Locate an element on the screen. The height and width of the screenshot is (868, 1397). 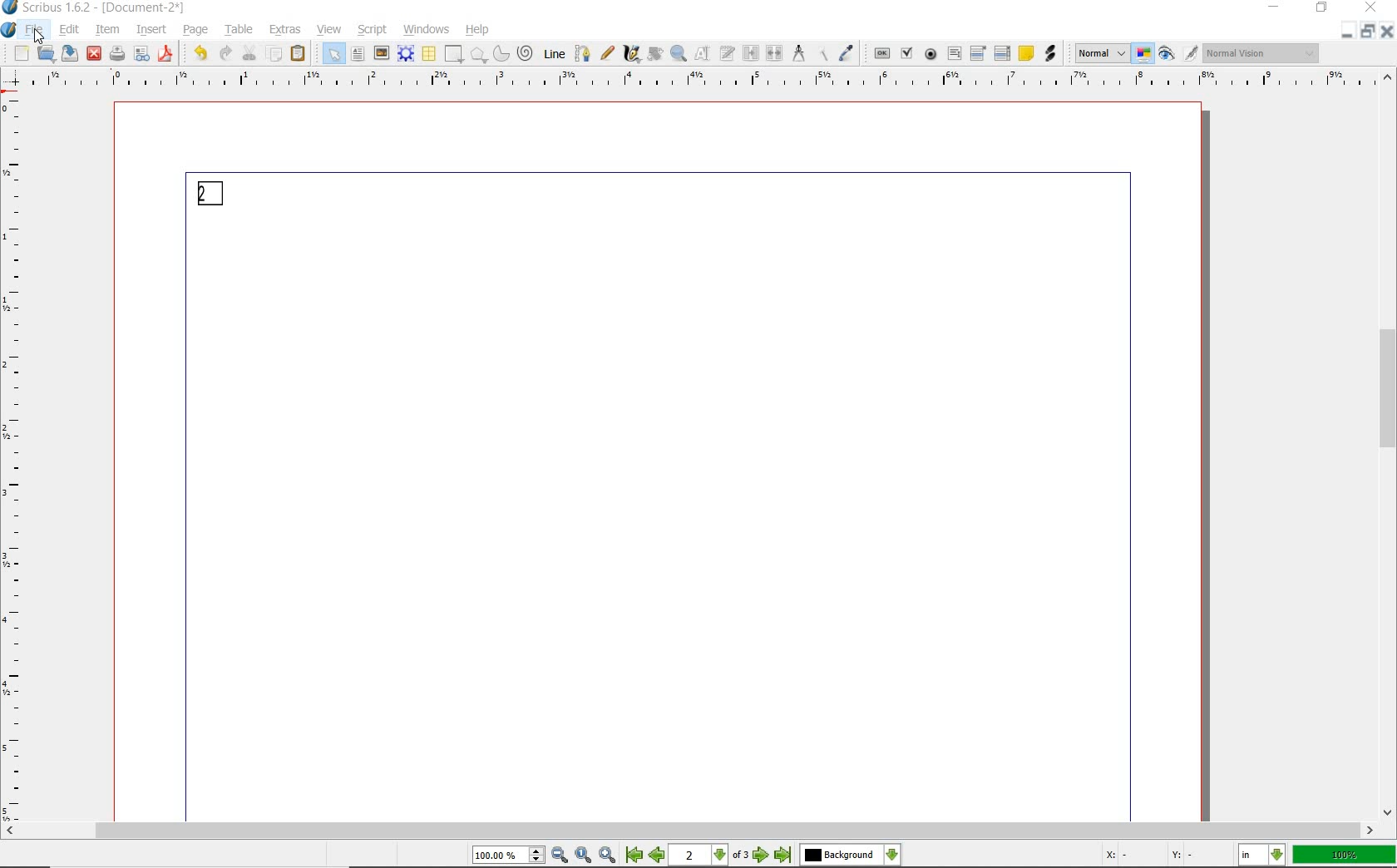
extras is located at coordinates (285, 30).